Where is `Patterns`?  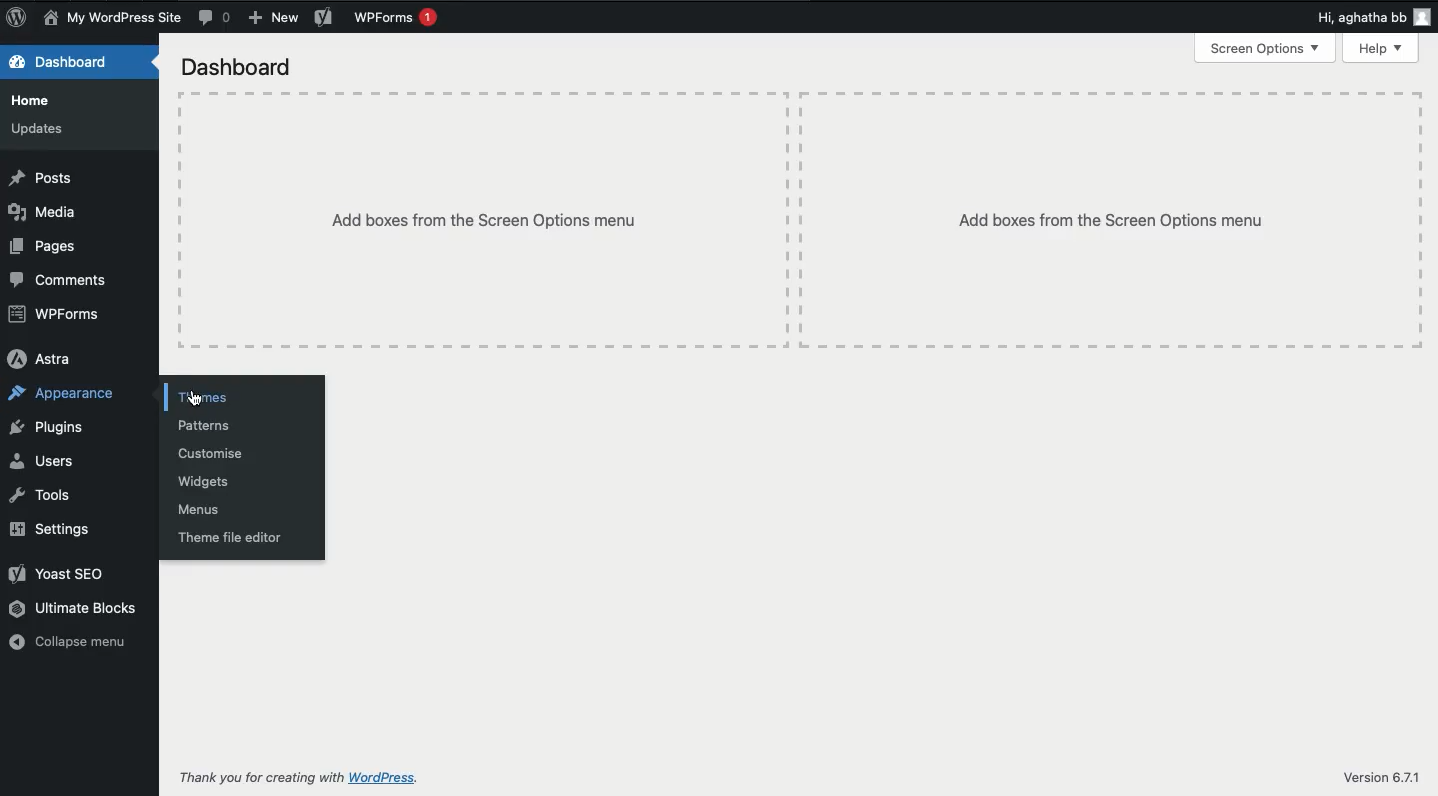 Patterns is located at coordinates (206, 426).